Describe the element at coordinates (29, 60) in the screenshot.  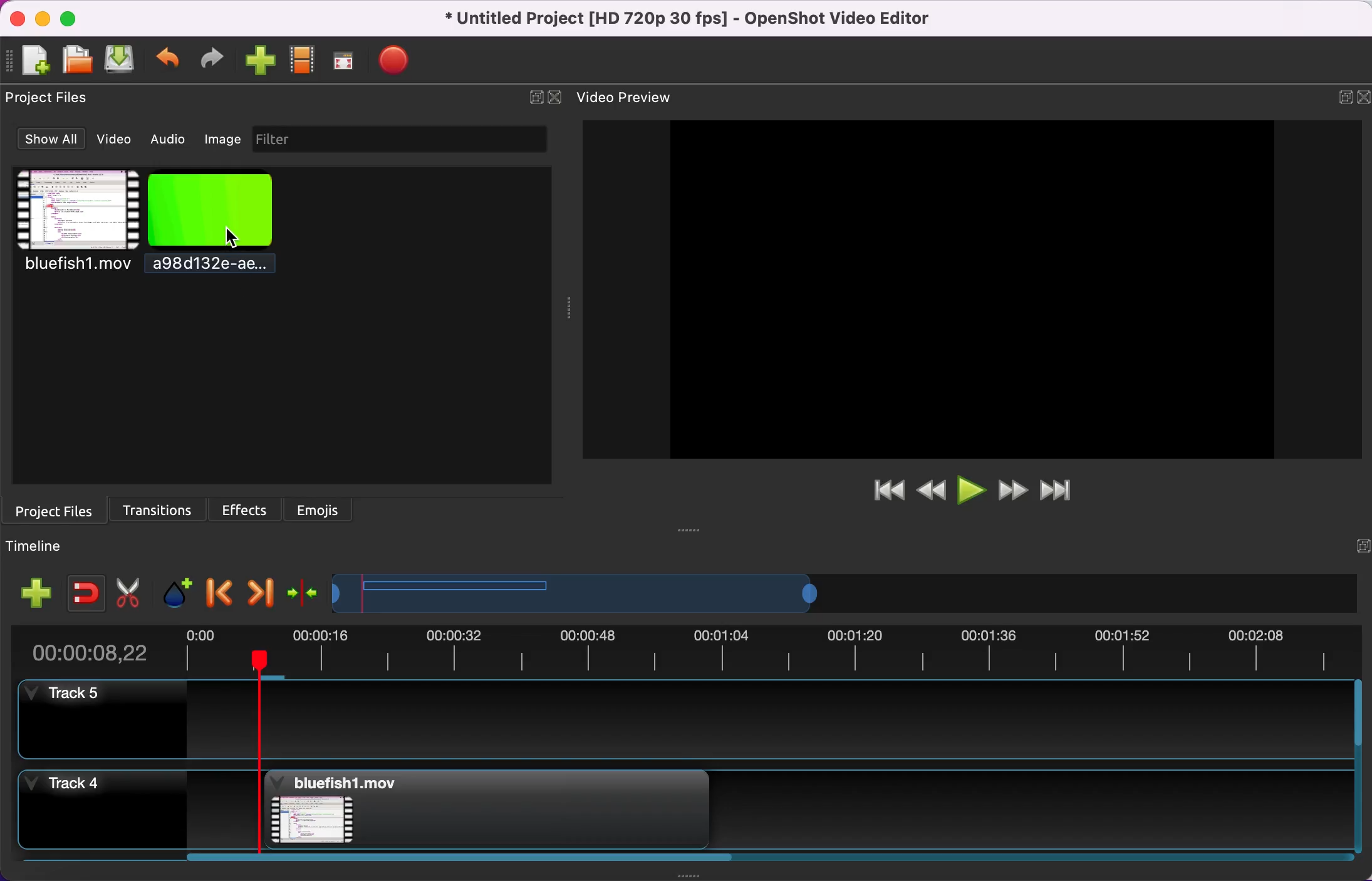
I see `add file` at that location.